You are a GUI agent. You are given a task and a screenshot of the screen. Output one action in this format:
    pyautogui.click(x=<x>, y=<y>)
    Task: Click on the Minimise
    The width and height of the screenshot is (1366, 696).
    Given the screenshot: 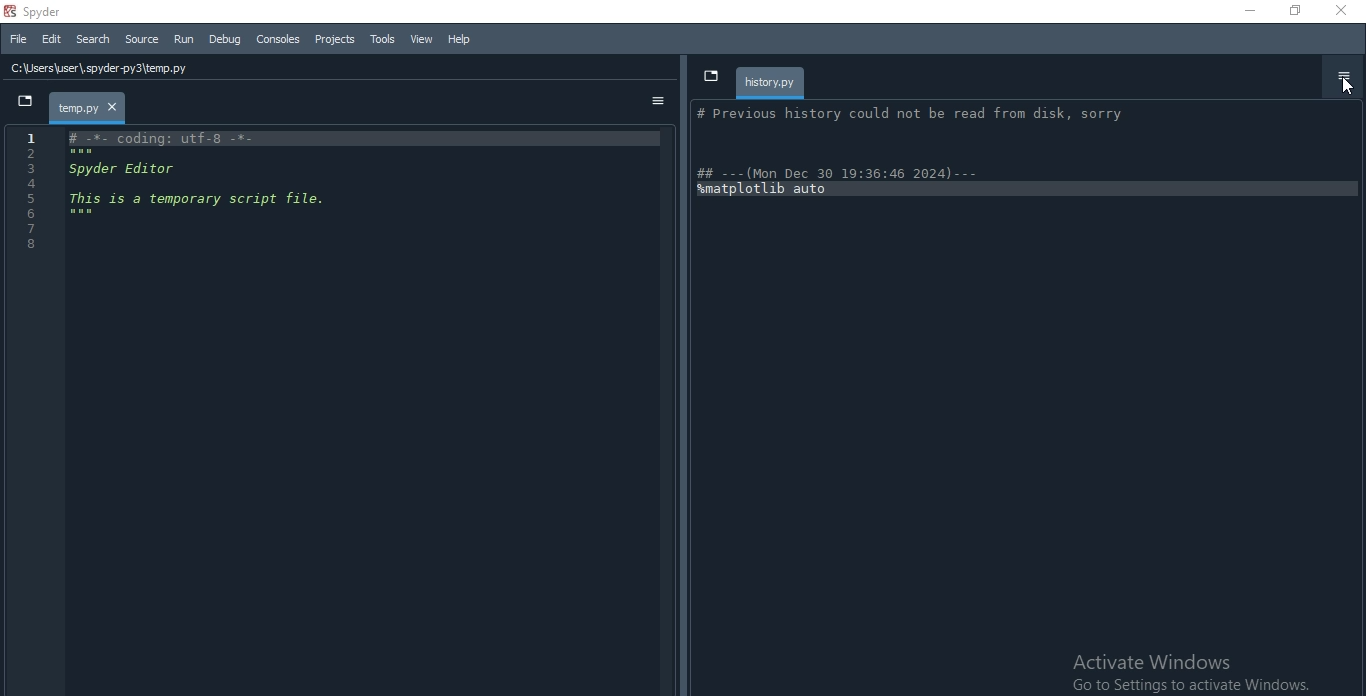 What is the action you would take?
    pyautogui.click(x=1246, y=9)
    